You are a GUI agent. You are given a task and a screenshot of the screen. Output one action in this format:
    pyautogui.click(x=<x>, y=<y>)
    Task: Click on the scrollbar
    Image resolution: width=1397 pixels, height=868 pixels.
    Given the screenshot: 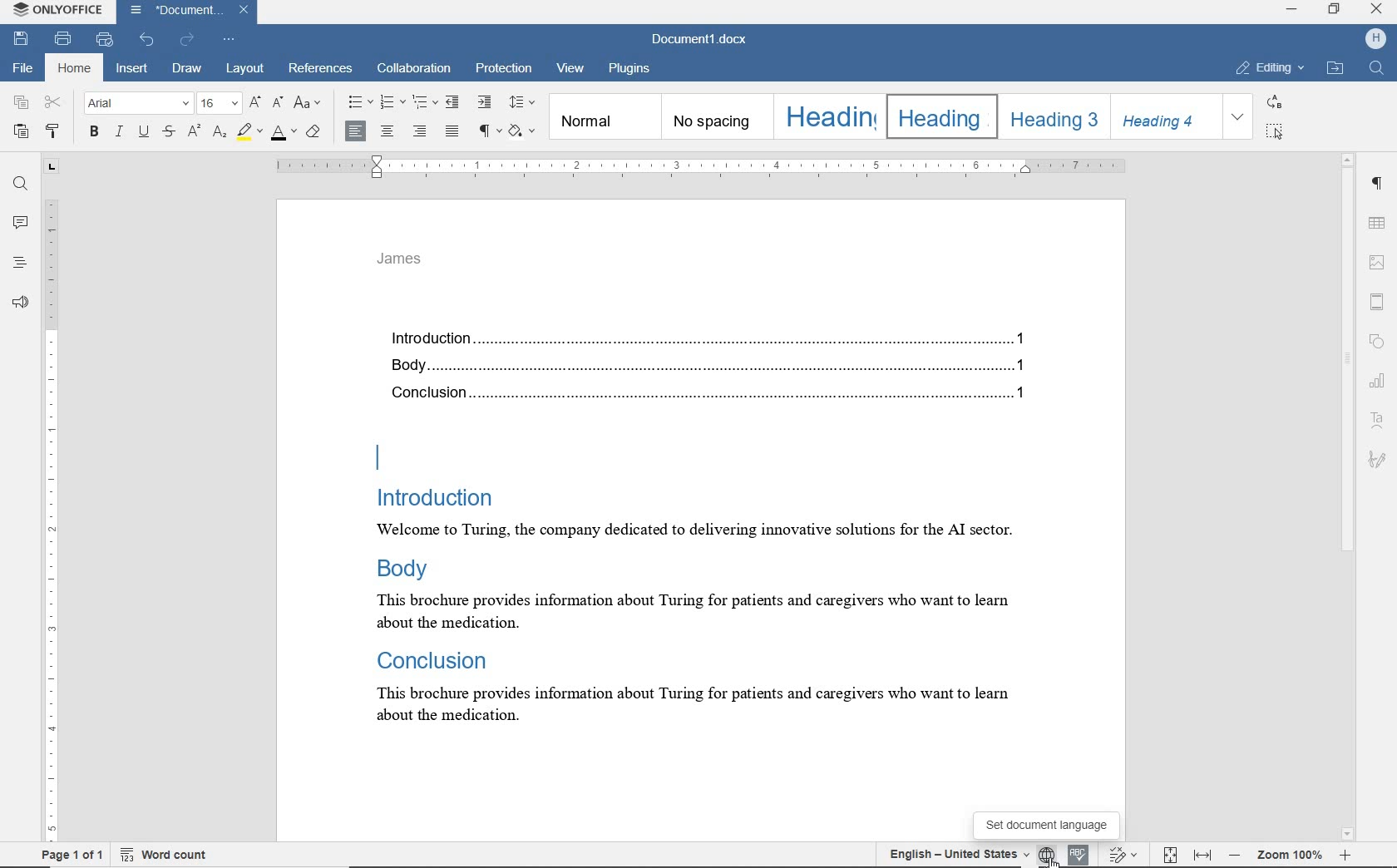 What is the action you would take?
    pyautogui.click(x=1348, y=496)
    